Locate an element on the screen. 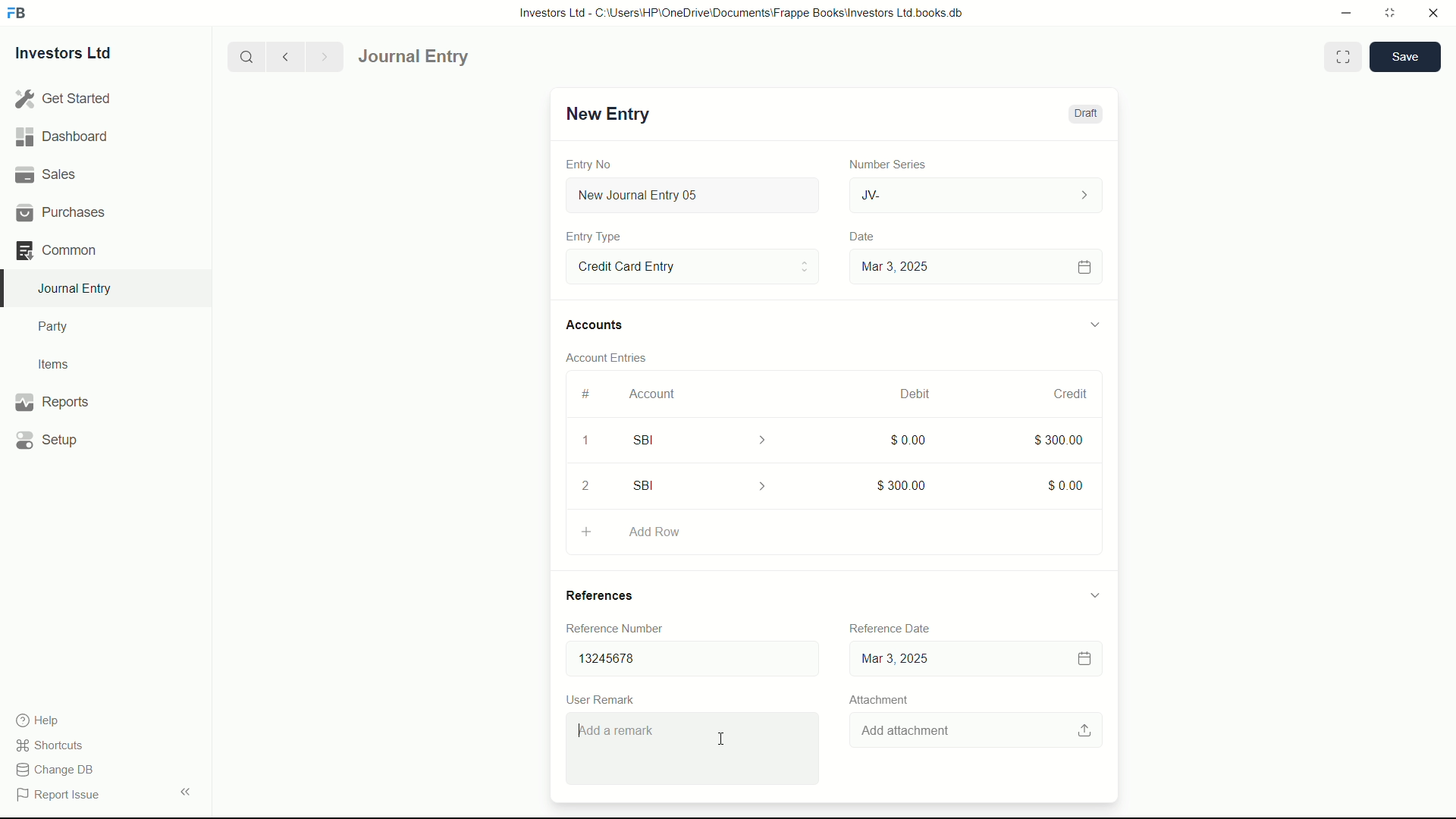 This screenshot has width=1456, height=819. $0.00 is located at coordinates (1067, 482).